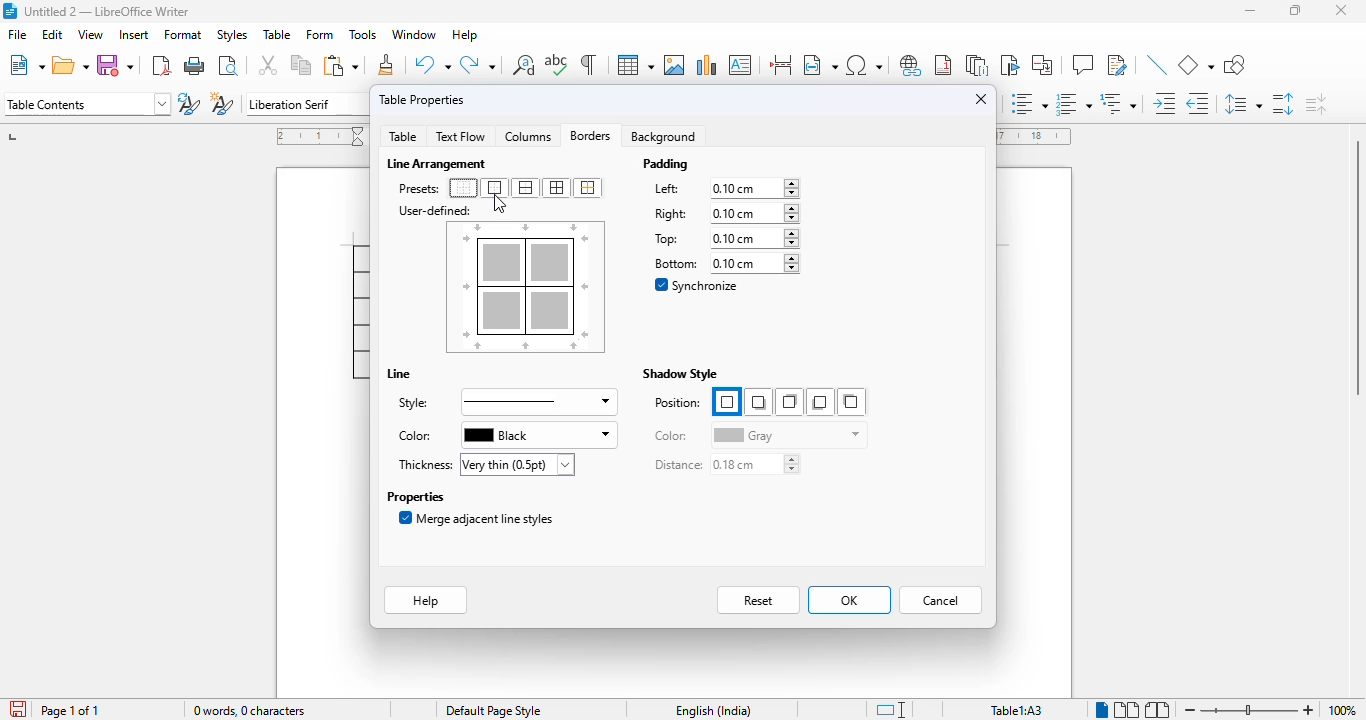 This screenshot has width=1366, height=720. I want to click on toggle print preview, so click(229, 65).